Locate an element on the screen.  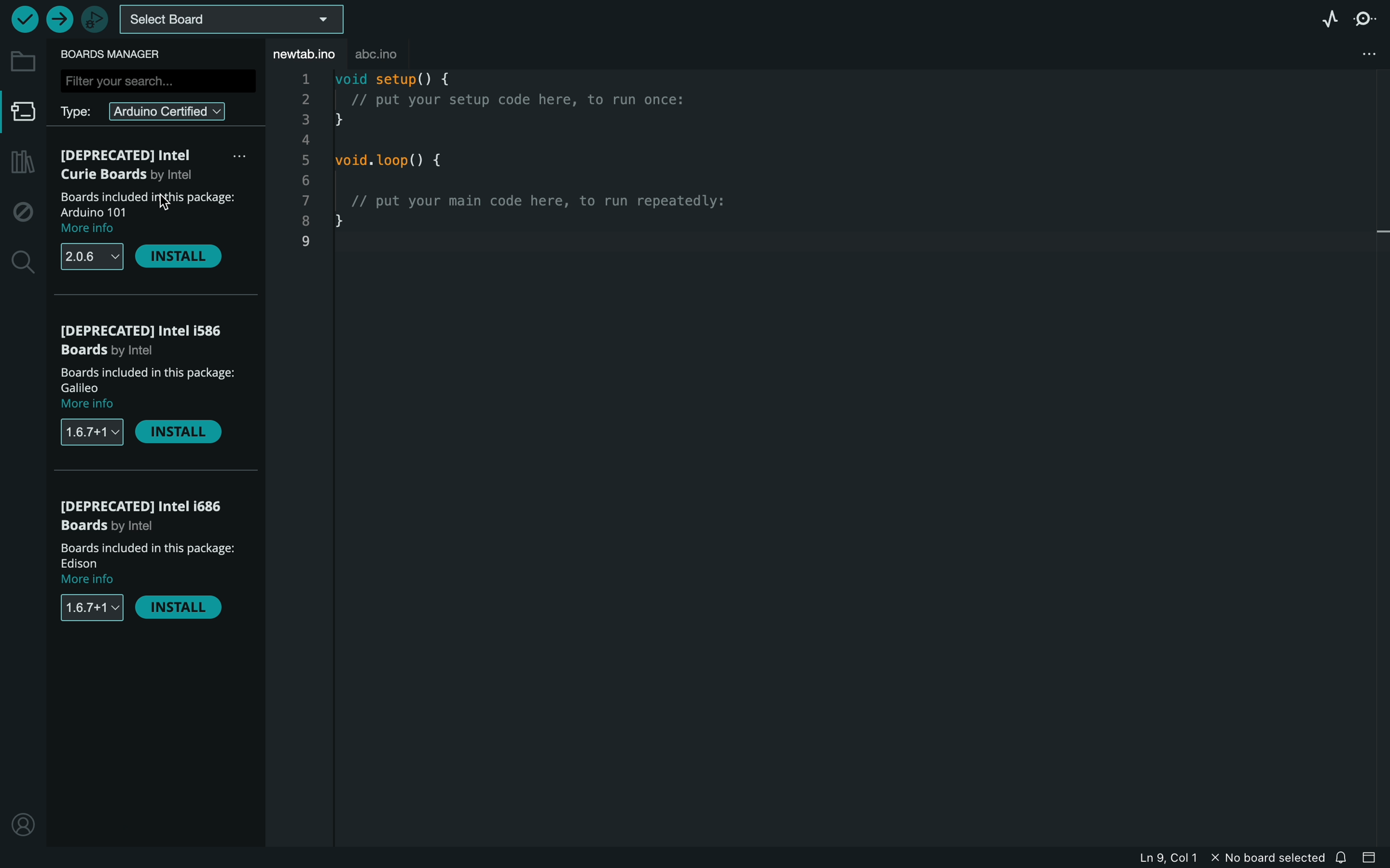
install is located at coordinates (184, 435).